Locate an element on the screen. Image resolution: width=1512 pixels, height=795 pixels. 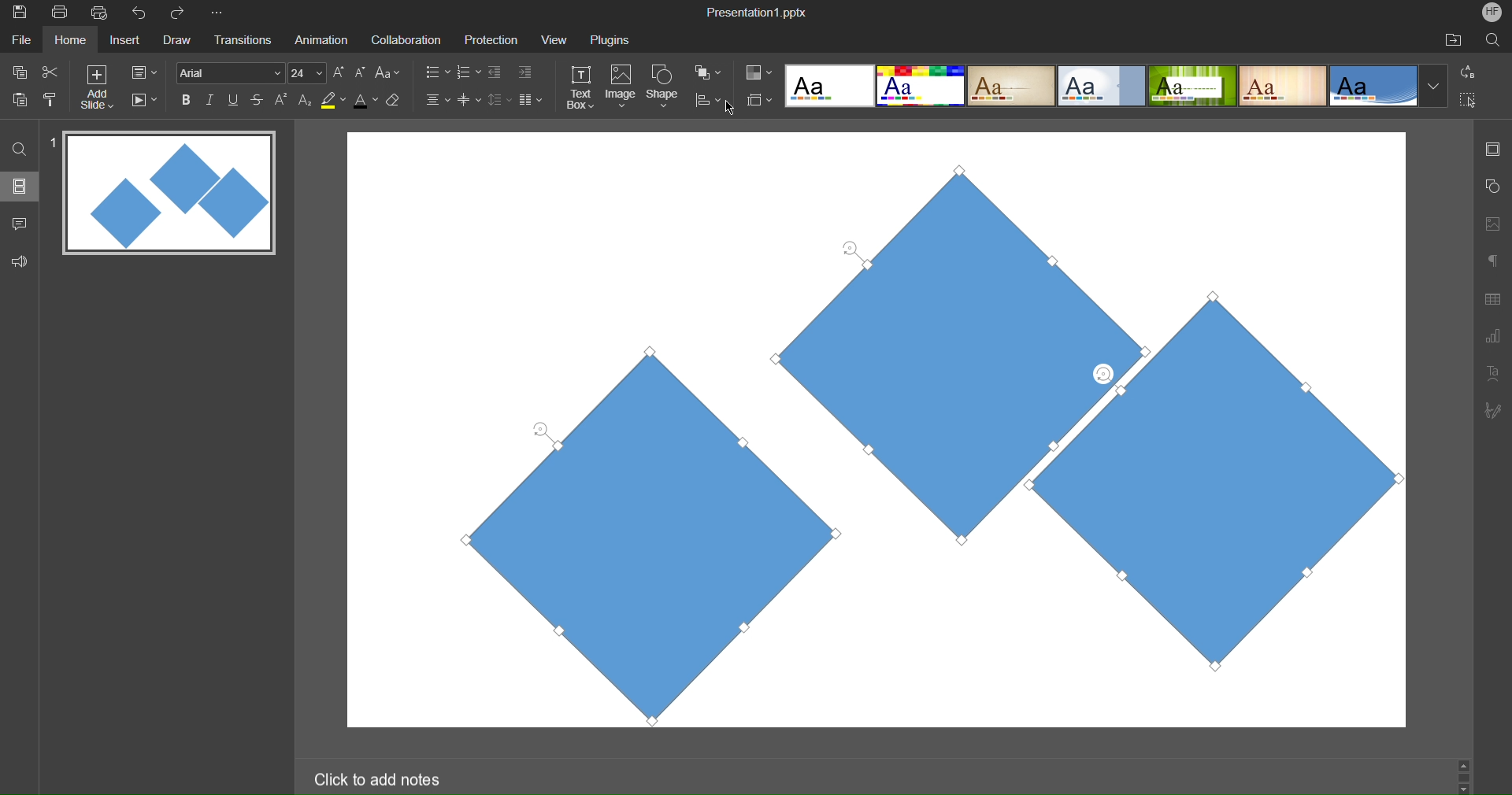
chat is located at coordinates (21, 221).